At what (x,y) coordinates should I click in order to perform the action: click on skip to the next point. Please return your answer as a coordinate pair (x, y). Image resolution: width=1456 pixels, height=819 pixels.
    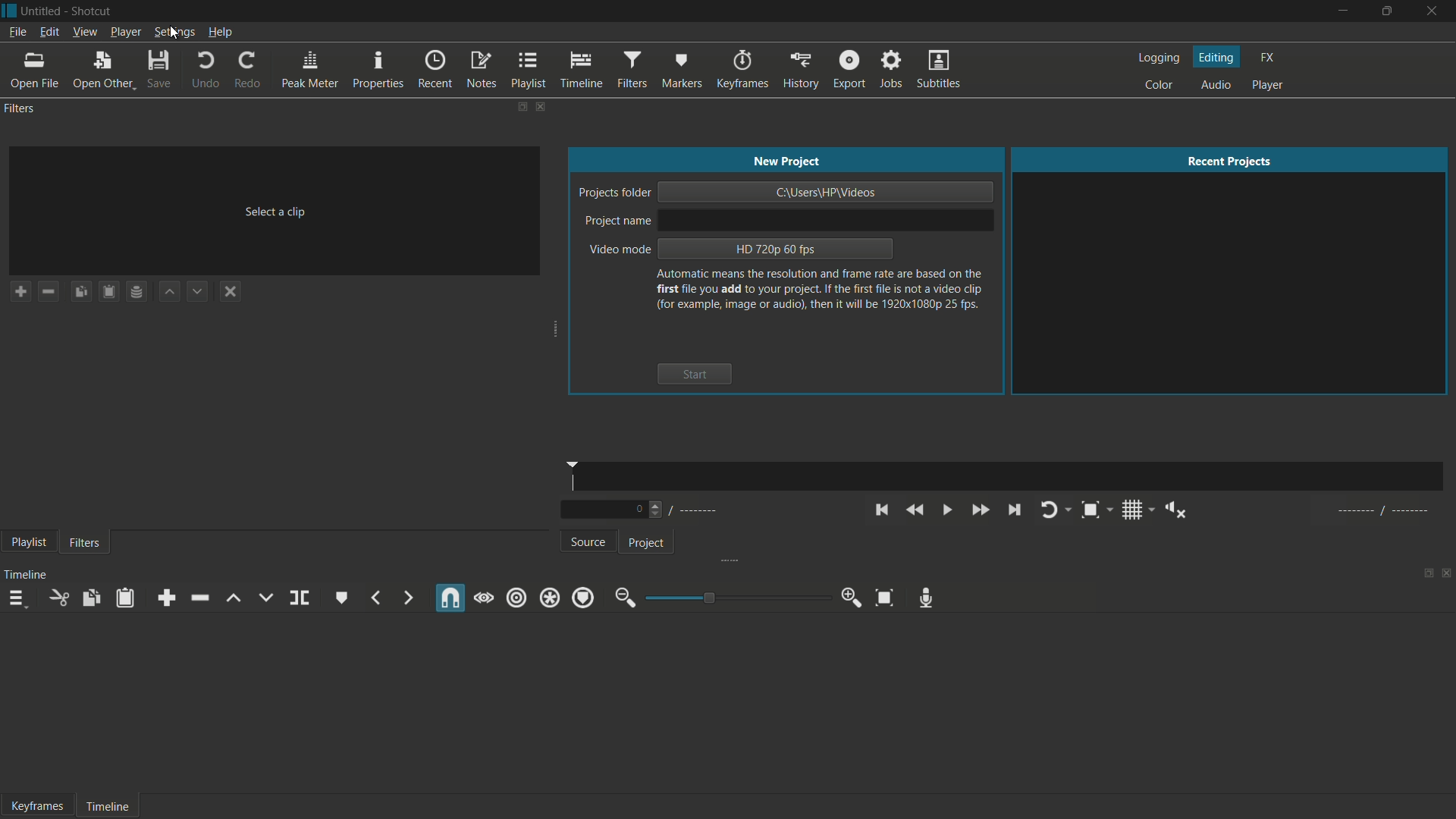
    Looking at the image, I should click on (1014, 510).